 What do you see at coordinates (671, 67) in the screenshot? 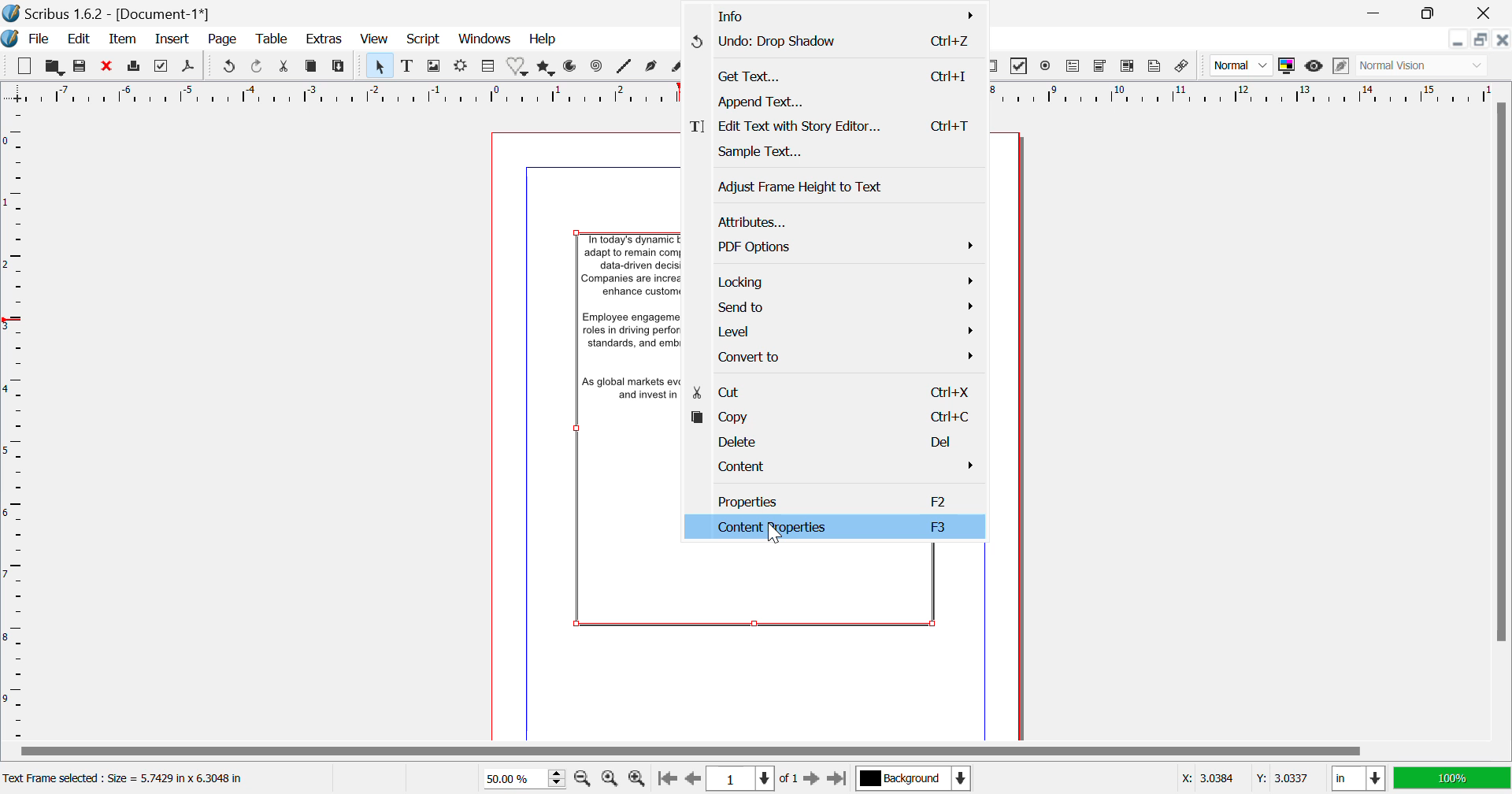
I see `Freehand Curve` at bounding box center [671, 67].